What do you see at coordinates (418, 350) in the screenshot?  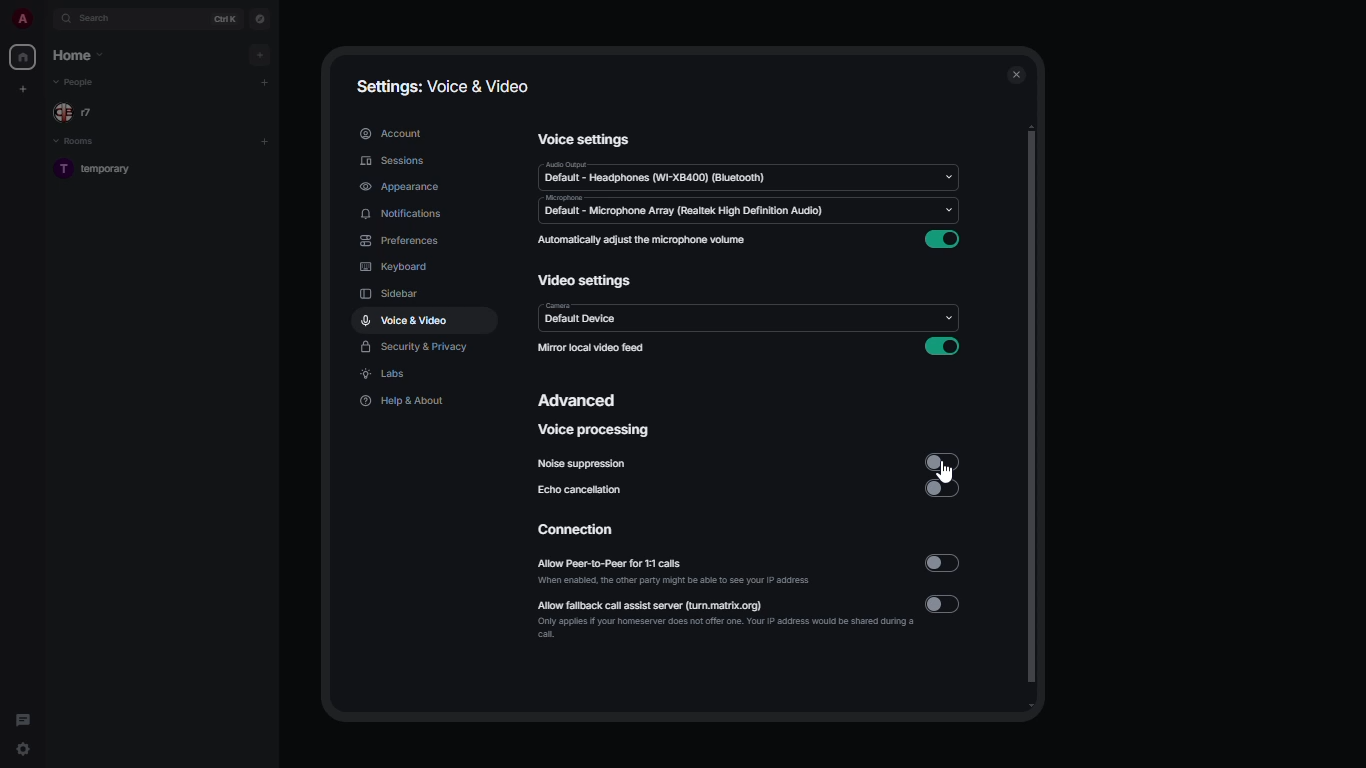 I see `security & privacy` at bounding box center [418, 350].